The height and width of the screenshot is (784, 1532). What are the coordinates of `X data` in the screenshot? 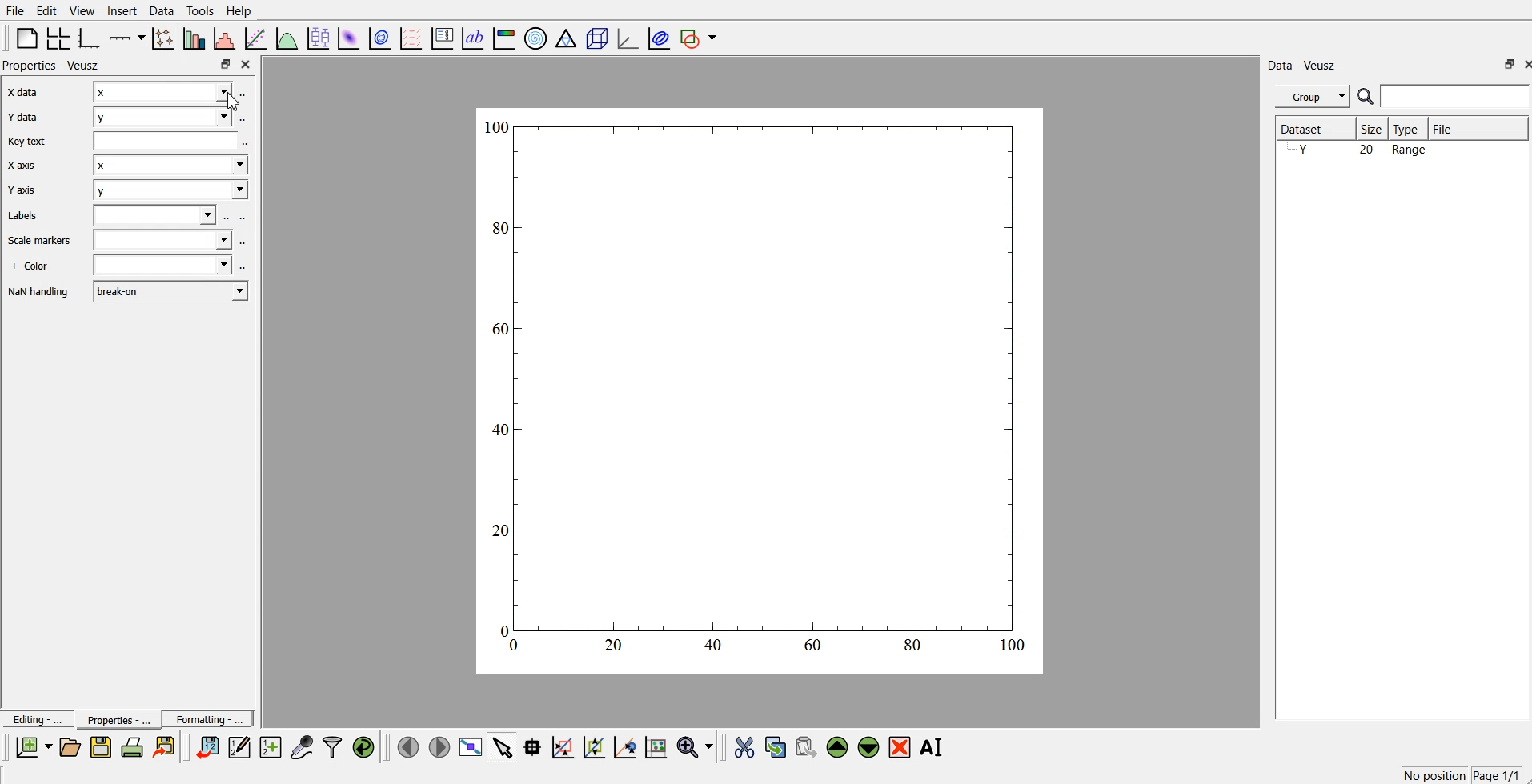 It's located at (26, 94).